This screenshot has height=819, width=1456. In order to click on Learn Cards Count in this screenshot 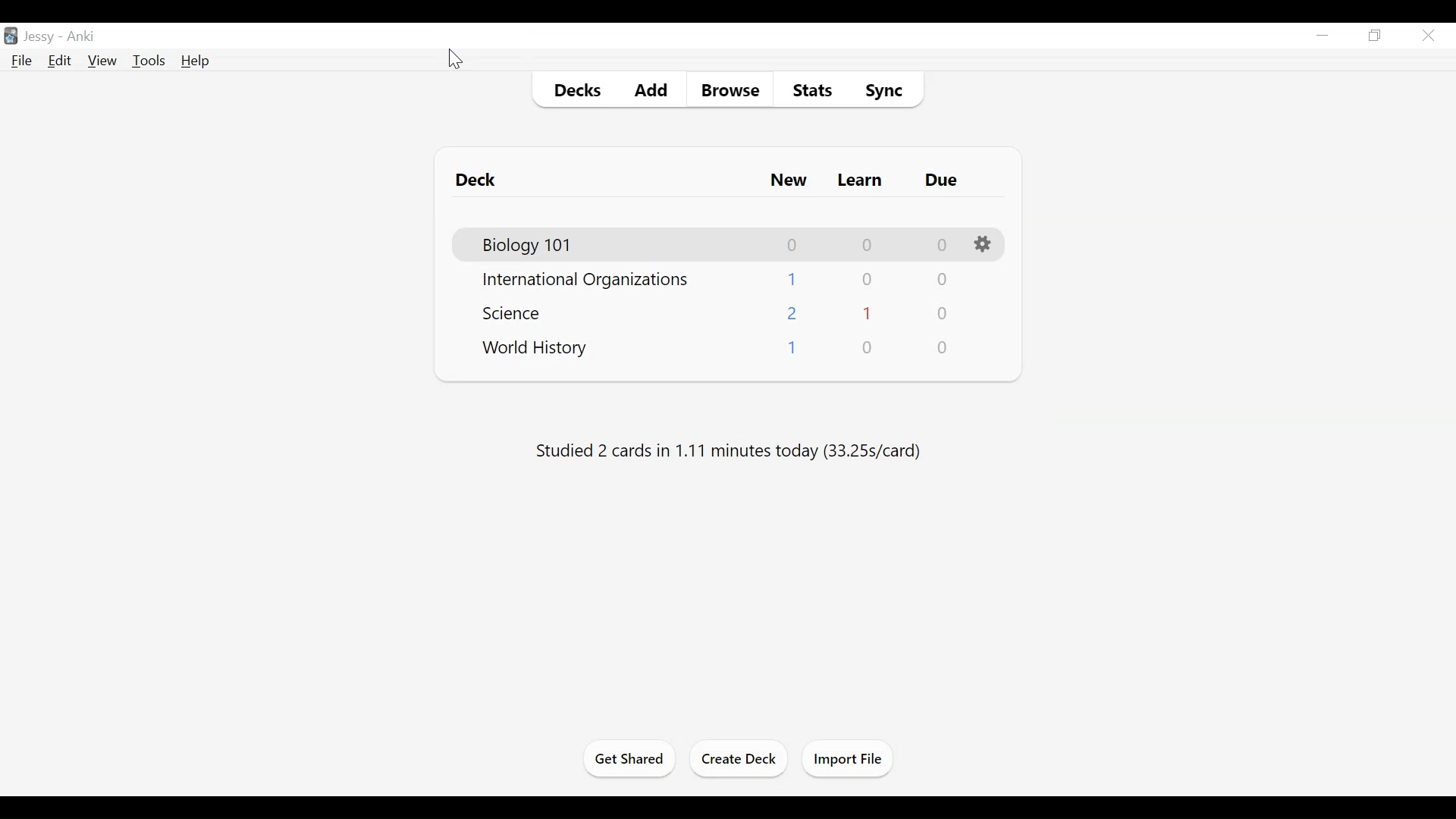, I will do `click(868, 246)`.